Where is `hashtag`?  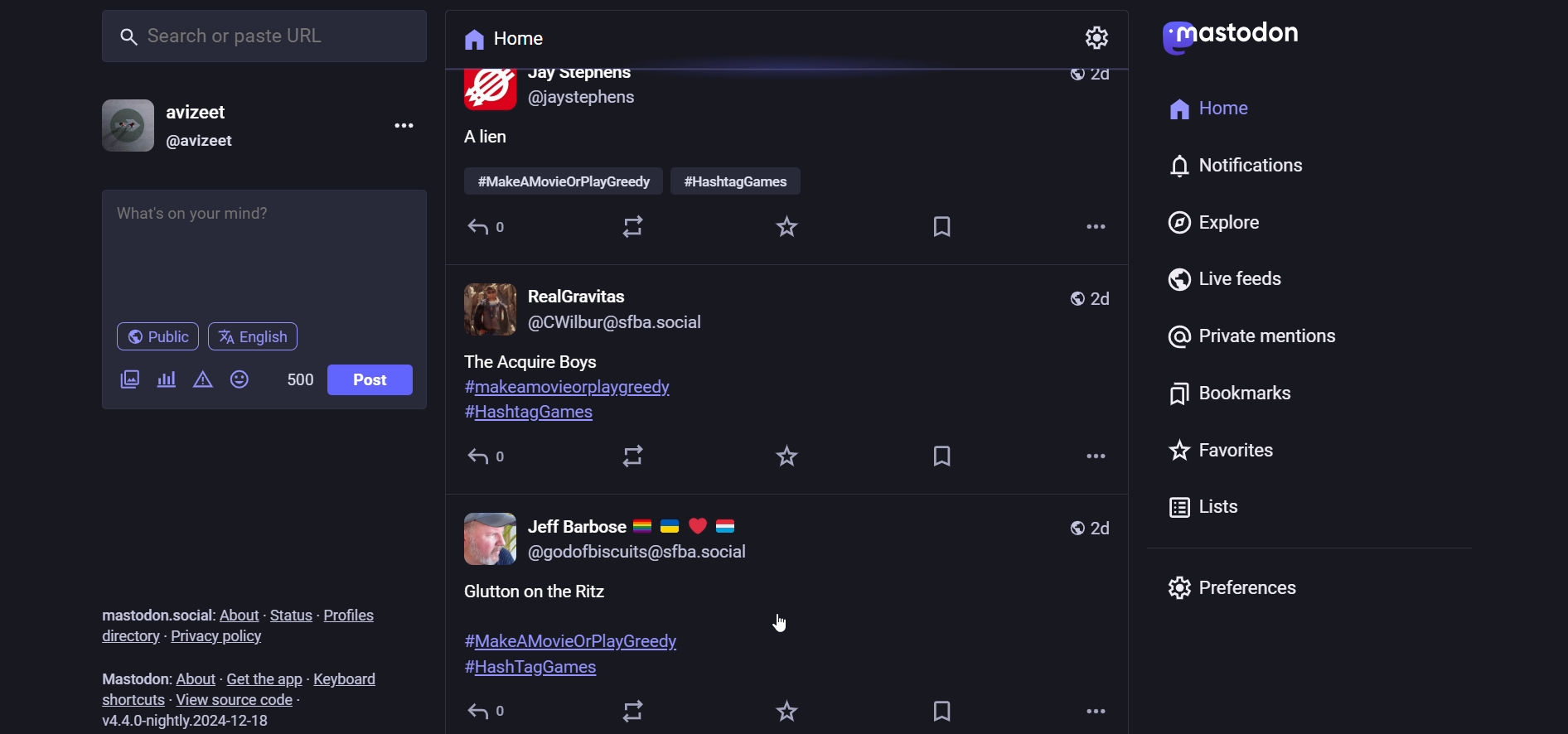
hashtag is located at coordinates (537, 414).